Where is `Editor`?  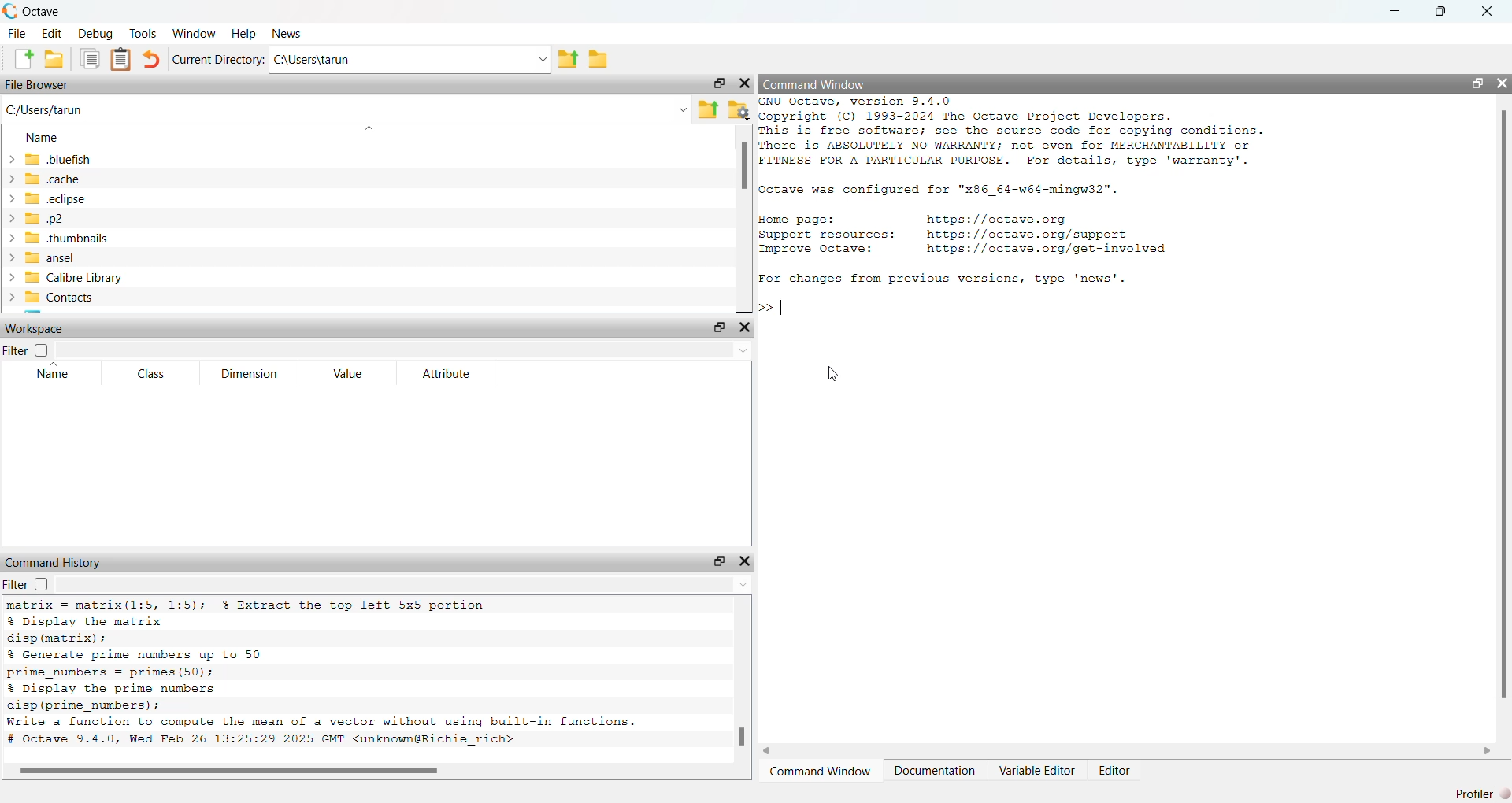 Editor is located at coordinates (1117, 771).